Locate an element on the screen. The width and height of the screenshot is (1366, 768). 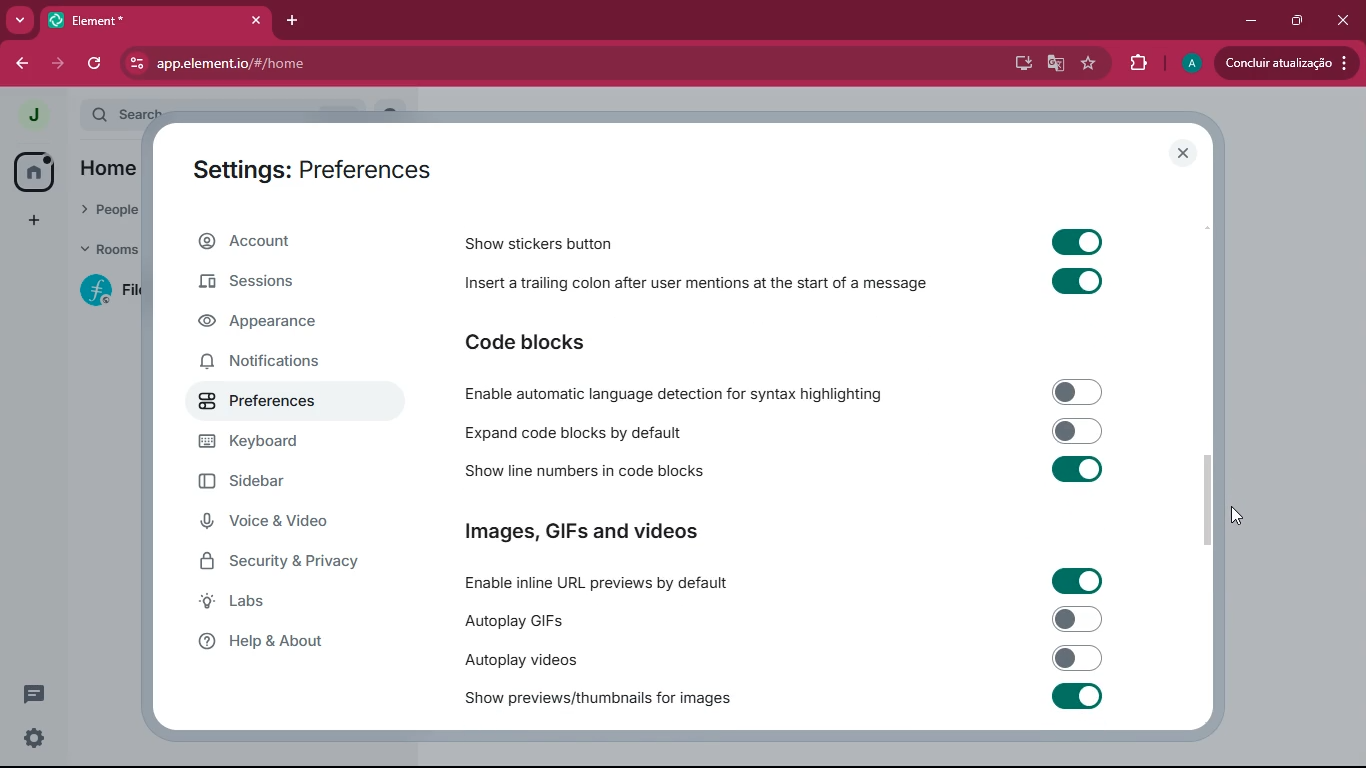
autoplay videos is located at coordinates (518, 659).